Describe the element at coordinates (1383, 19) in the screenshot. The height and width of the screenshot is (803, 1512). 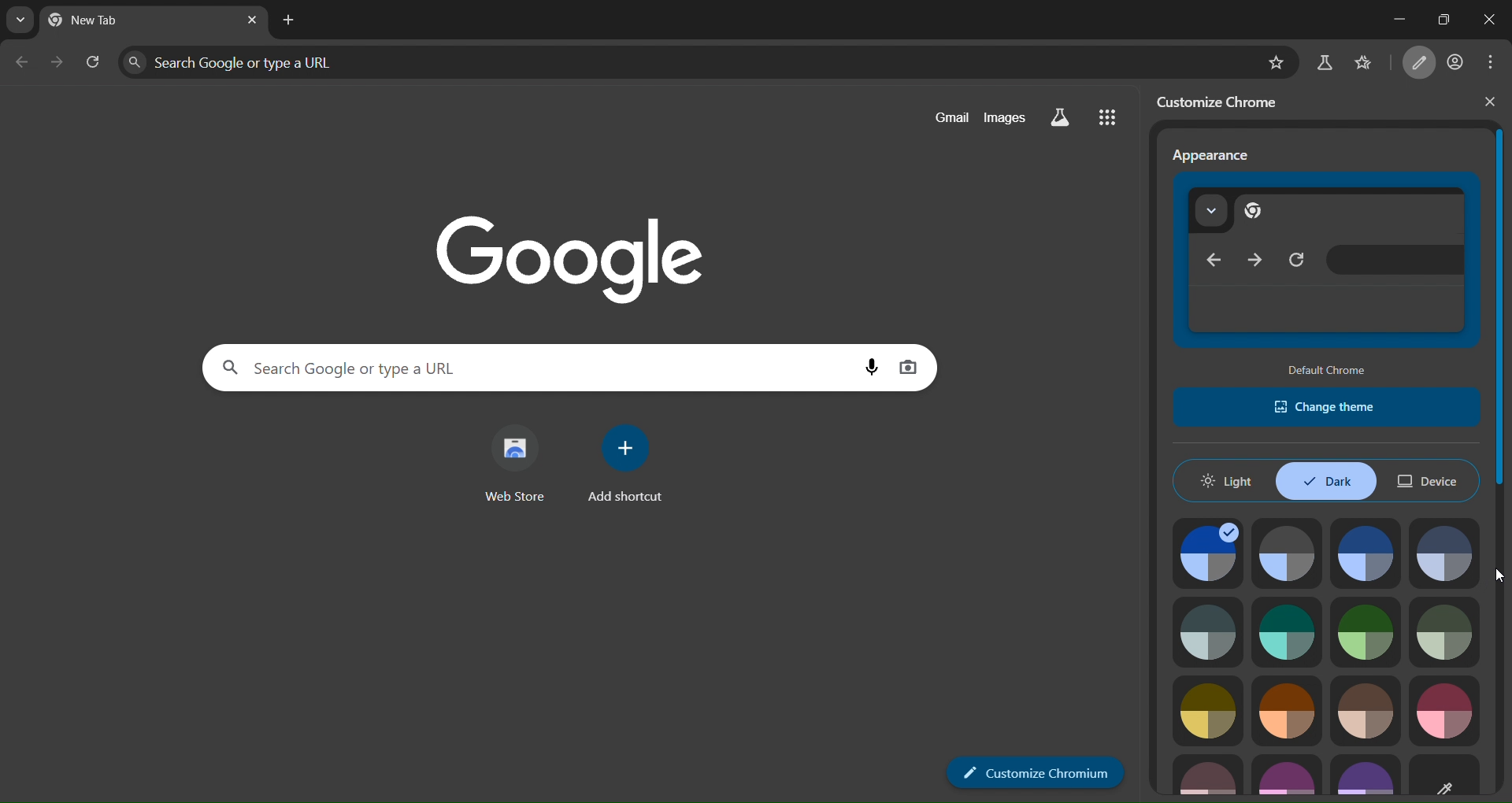
I see `minimize` at that location.